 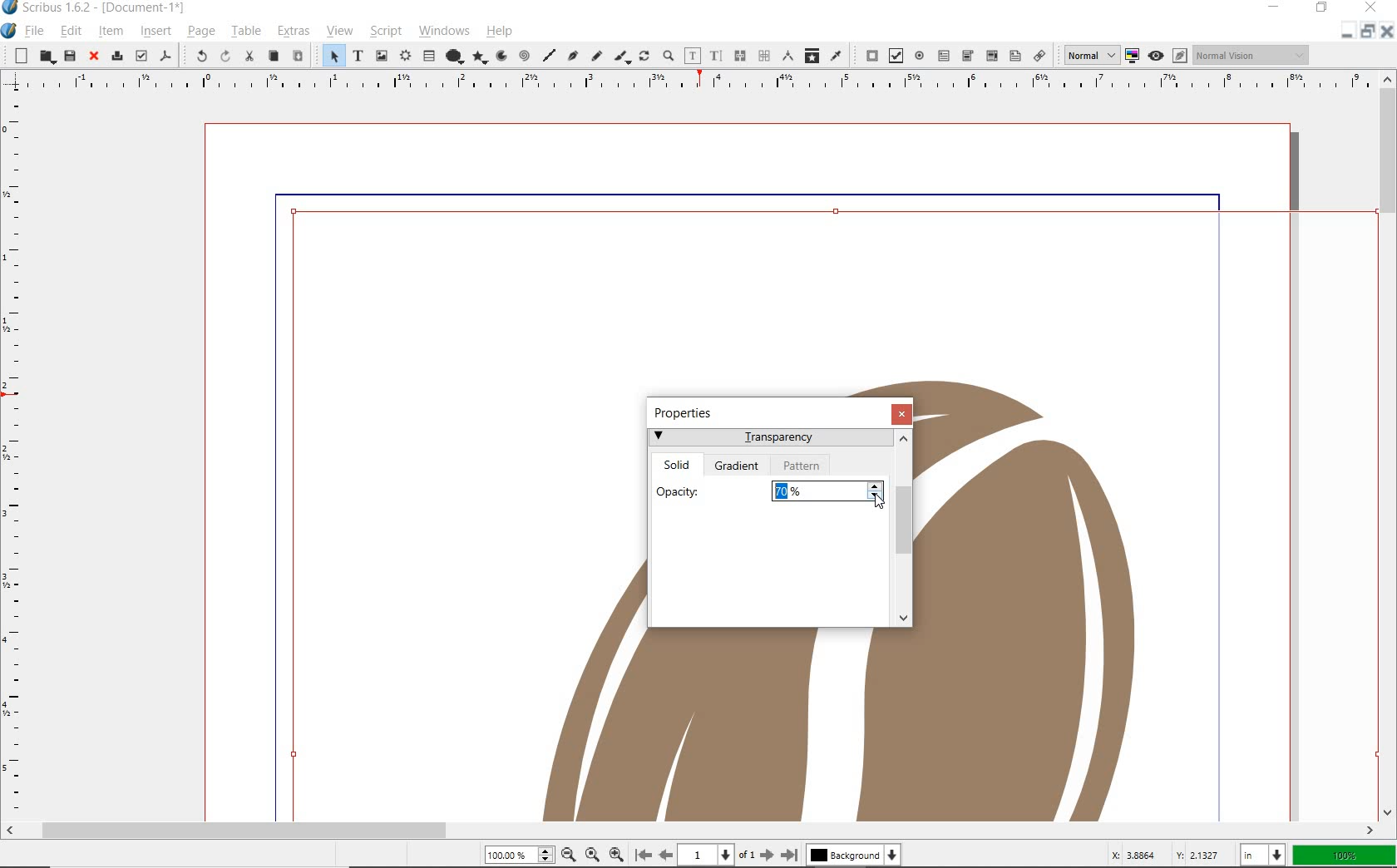 What do you see at coordinates (380, 57) in the screenshot?
I see `image frame` at bounding box center [380, 57].